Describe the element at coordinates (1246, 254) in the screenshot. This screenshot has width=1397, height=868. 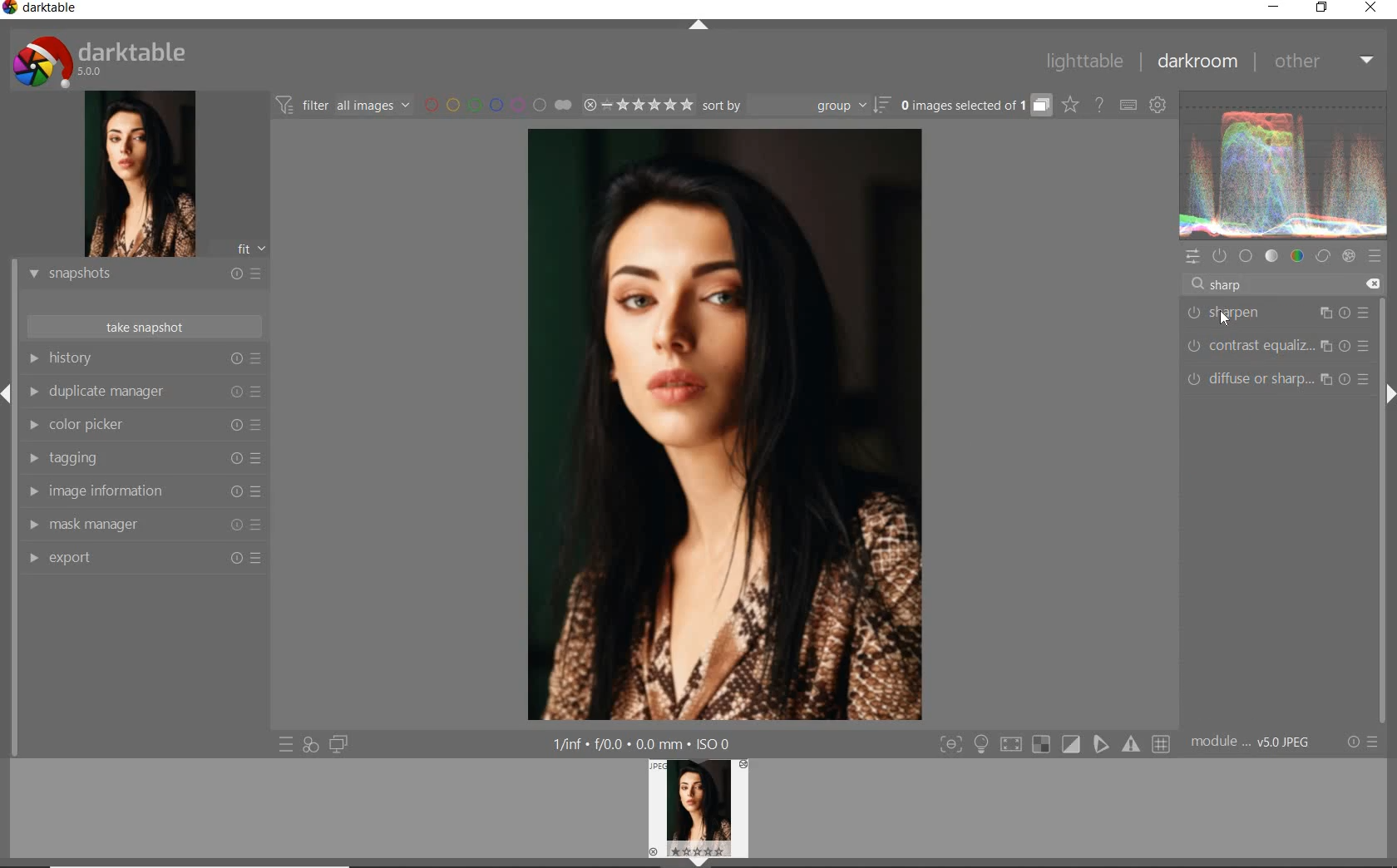
I see `base` at that location.